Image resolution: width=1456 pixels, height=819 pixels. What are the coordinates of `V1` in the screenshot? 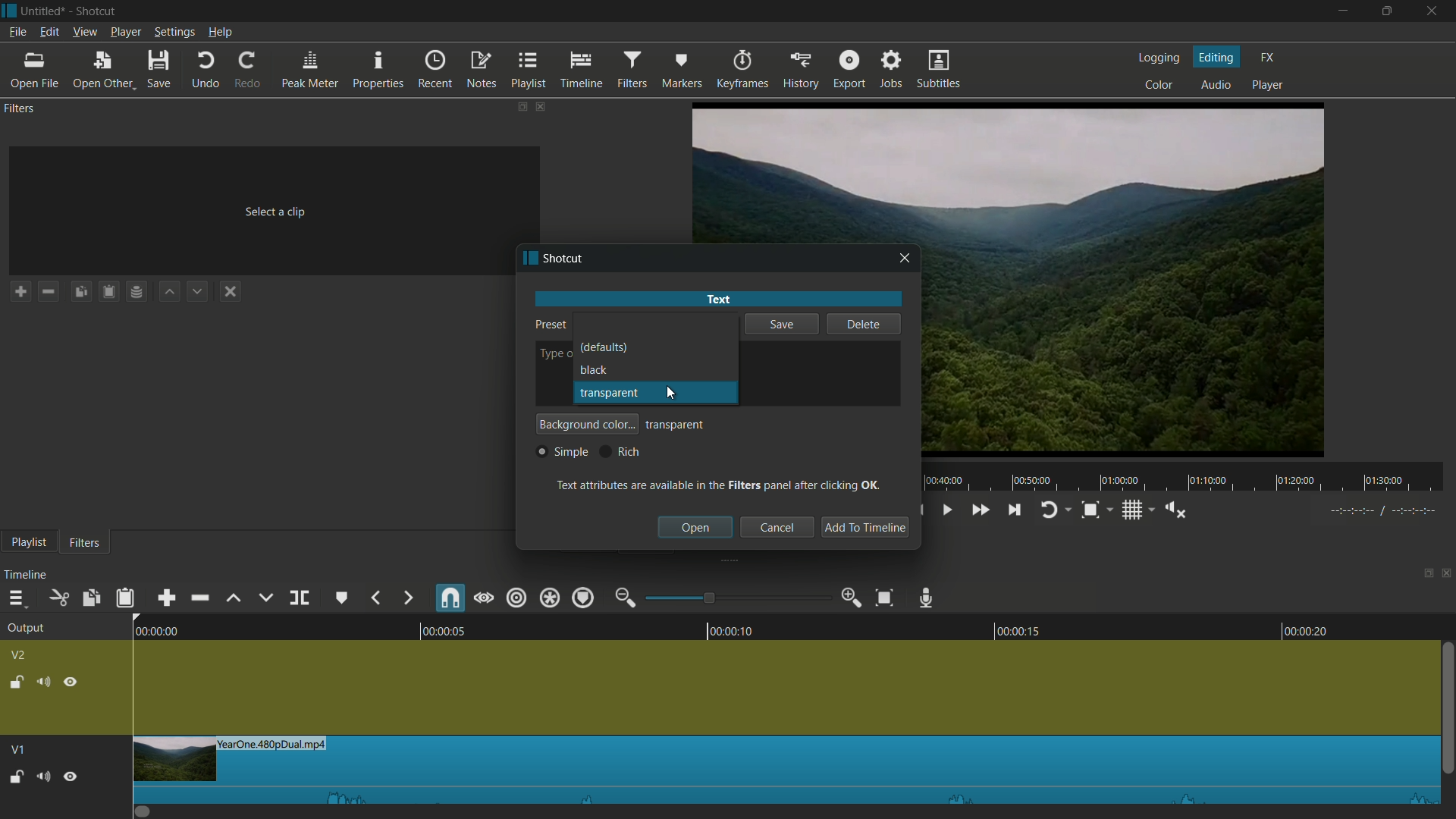 It's located at (16, 745).